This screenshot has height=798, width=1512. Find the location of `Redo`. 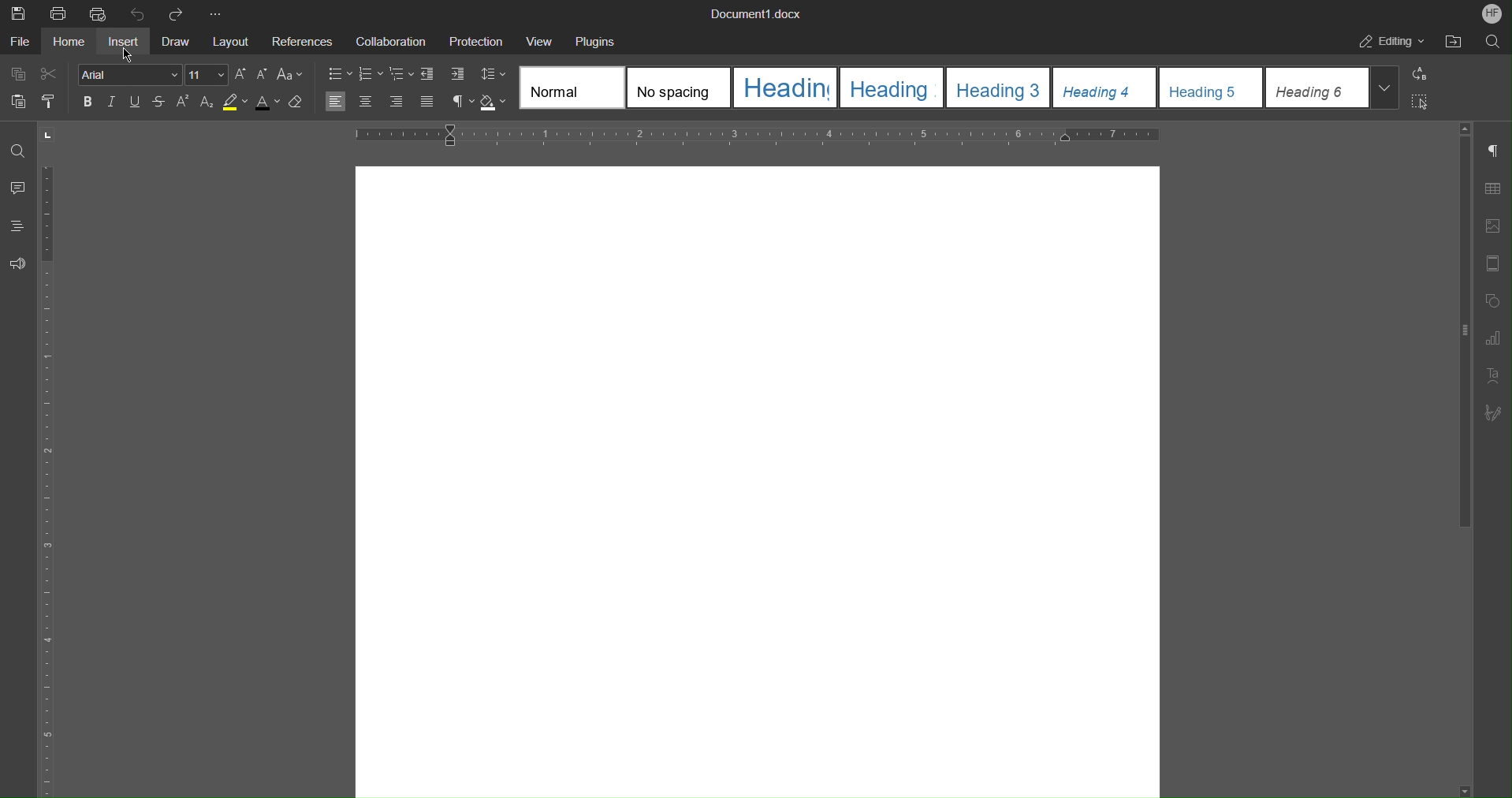

Redo is located at coordinates (177, 13).